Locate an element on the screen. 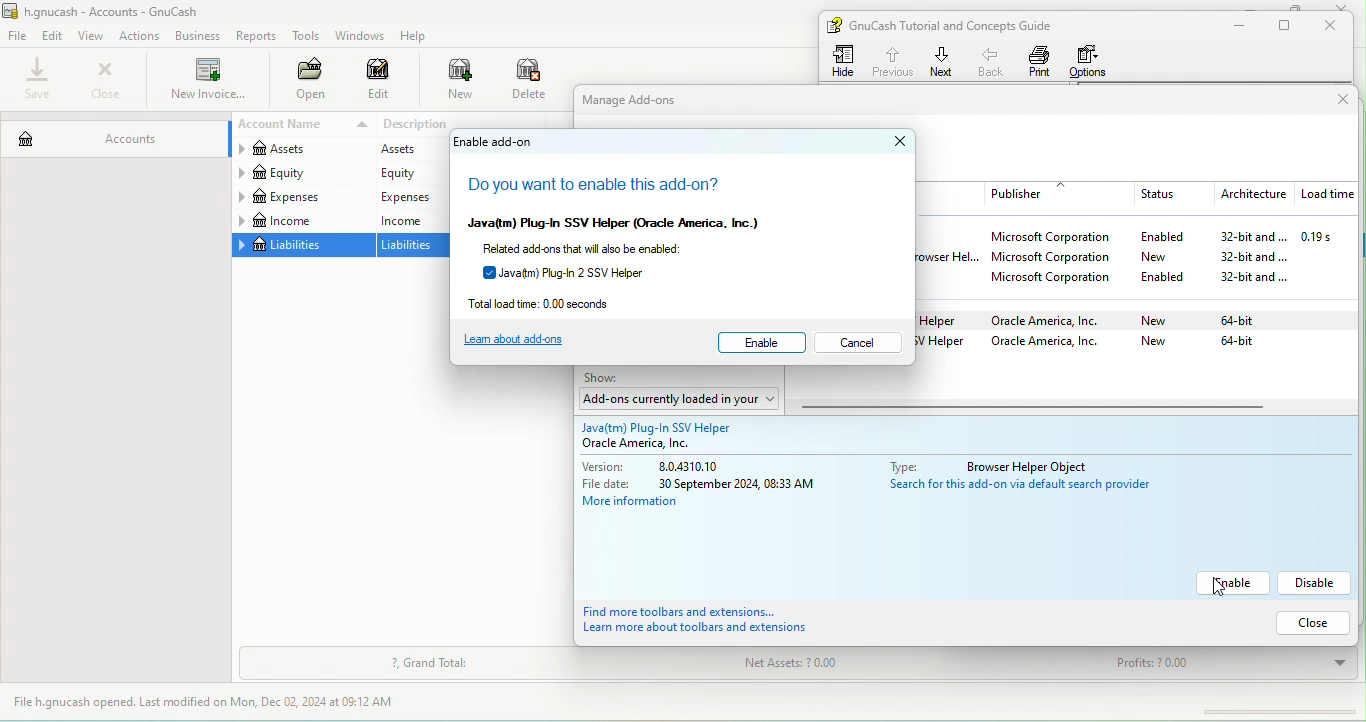 This screenshot has width=1366, height=722. 64 bit is located at coordinates (1241, 345).